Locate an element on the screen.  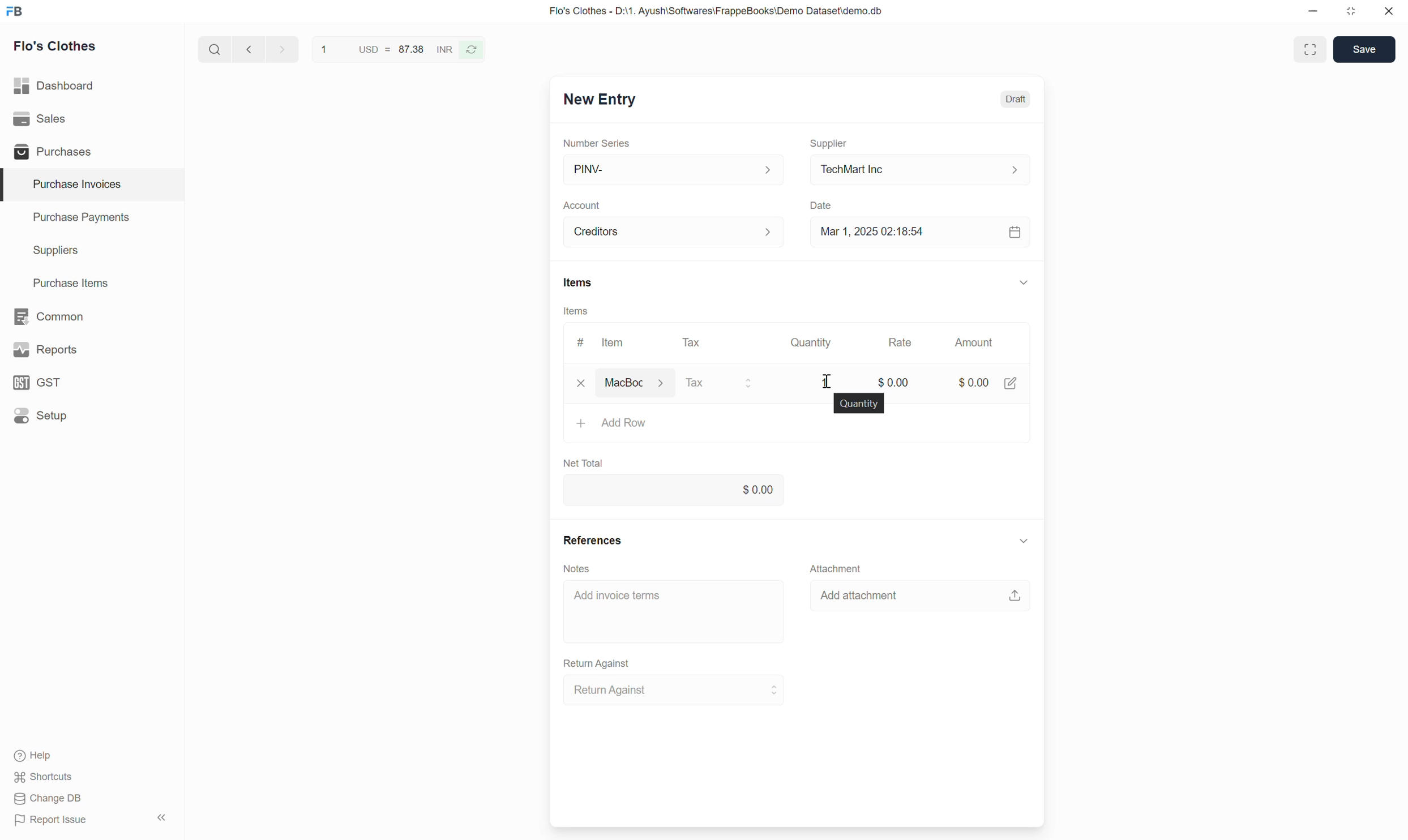
Minimize is located at coordinates (1313, 11).